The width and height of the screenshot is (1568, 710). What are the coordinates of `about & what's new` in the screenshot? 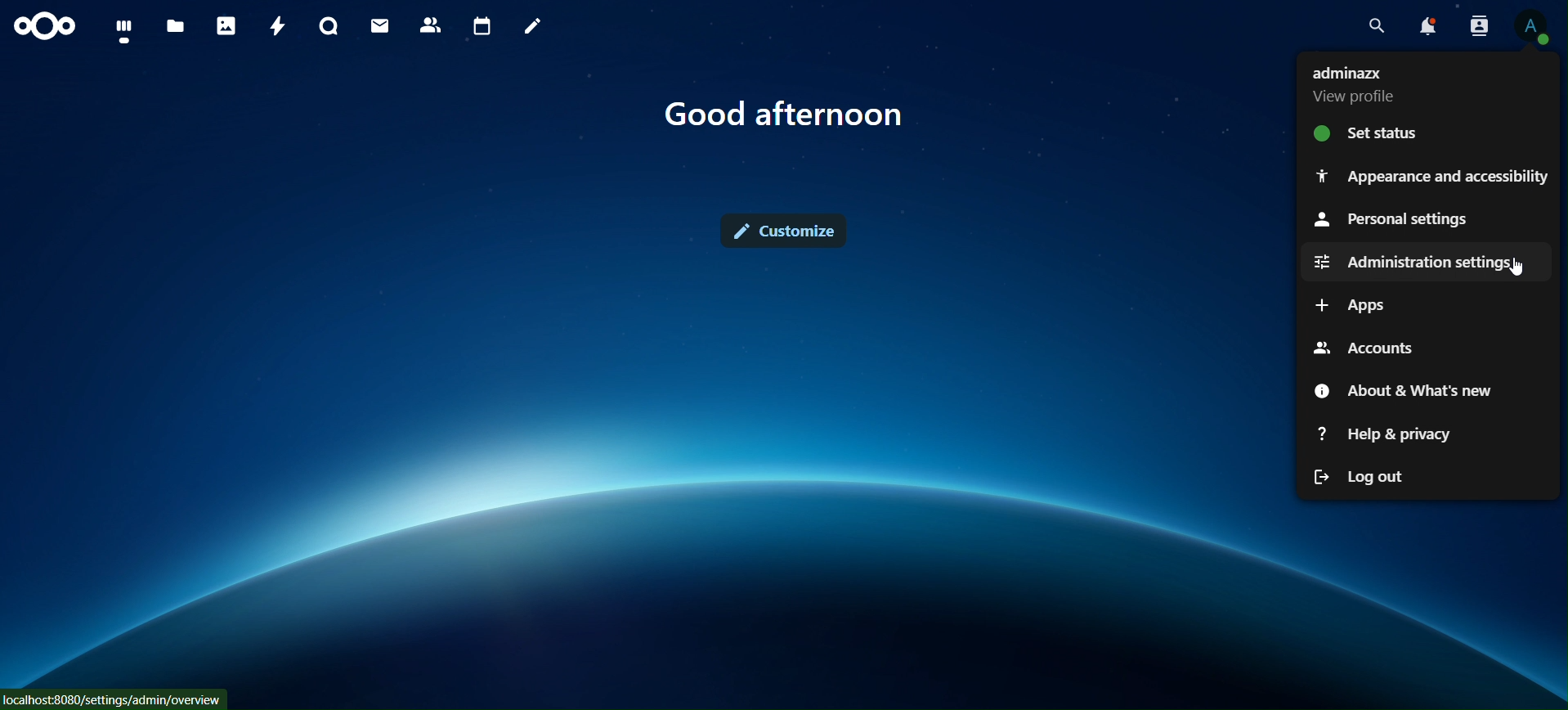 It's located at (1406, 388).